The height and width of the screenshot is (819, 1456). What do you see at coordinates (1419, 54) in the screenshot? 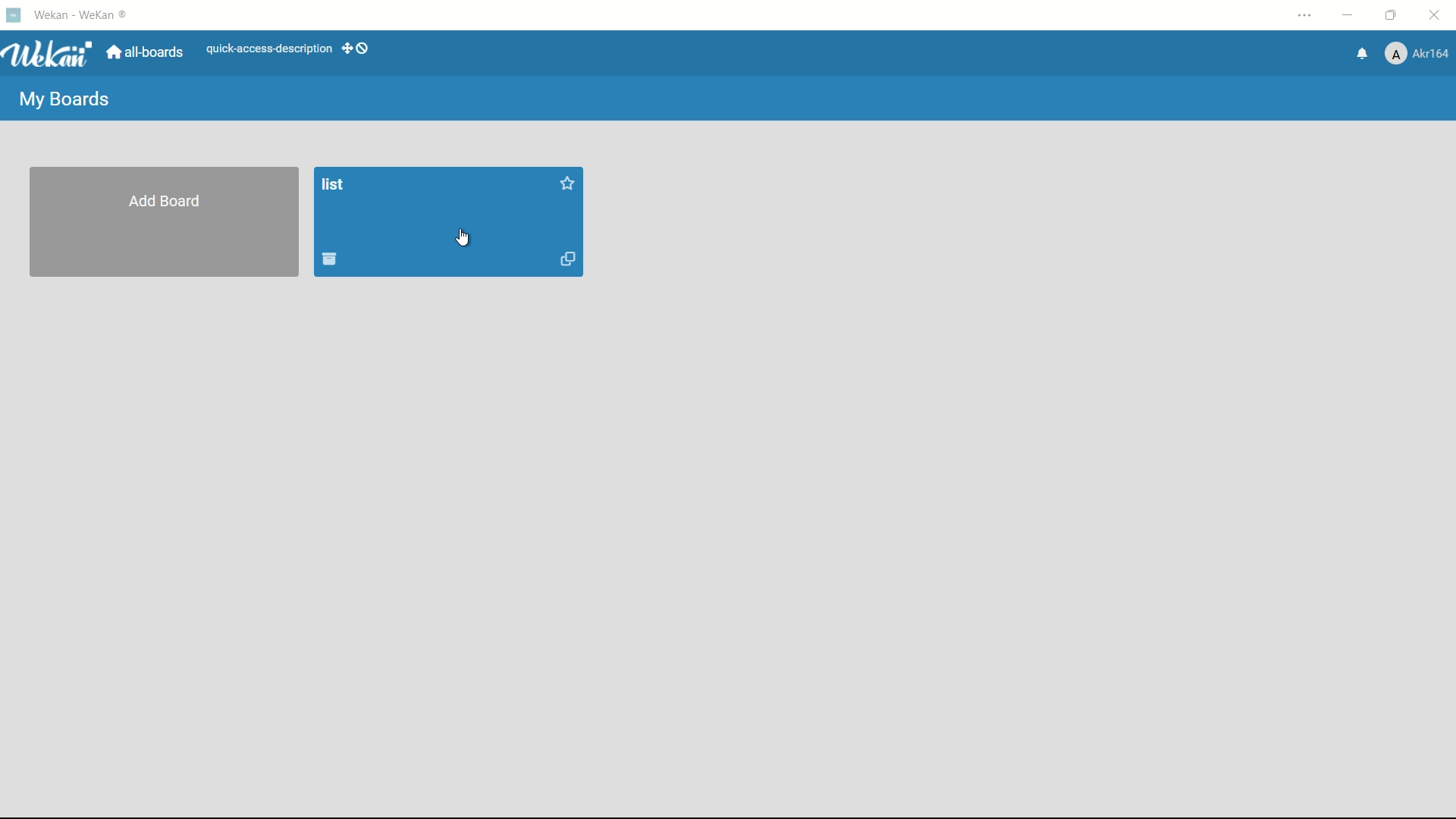
I see `profile` at bounding box center [1419, 54].